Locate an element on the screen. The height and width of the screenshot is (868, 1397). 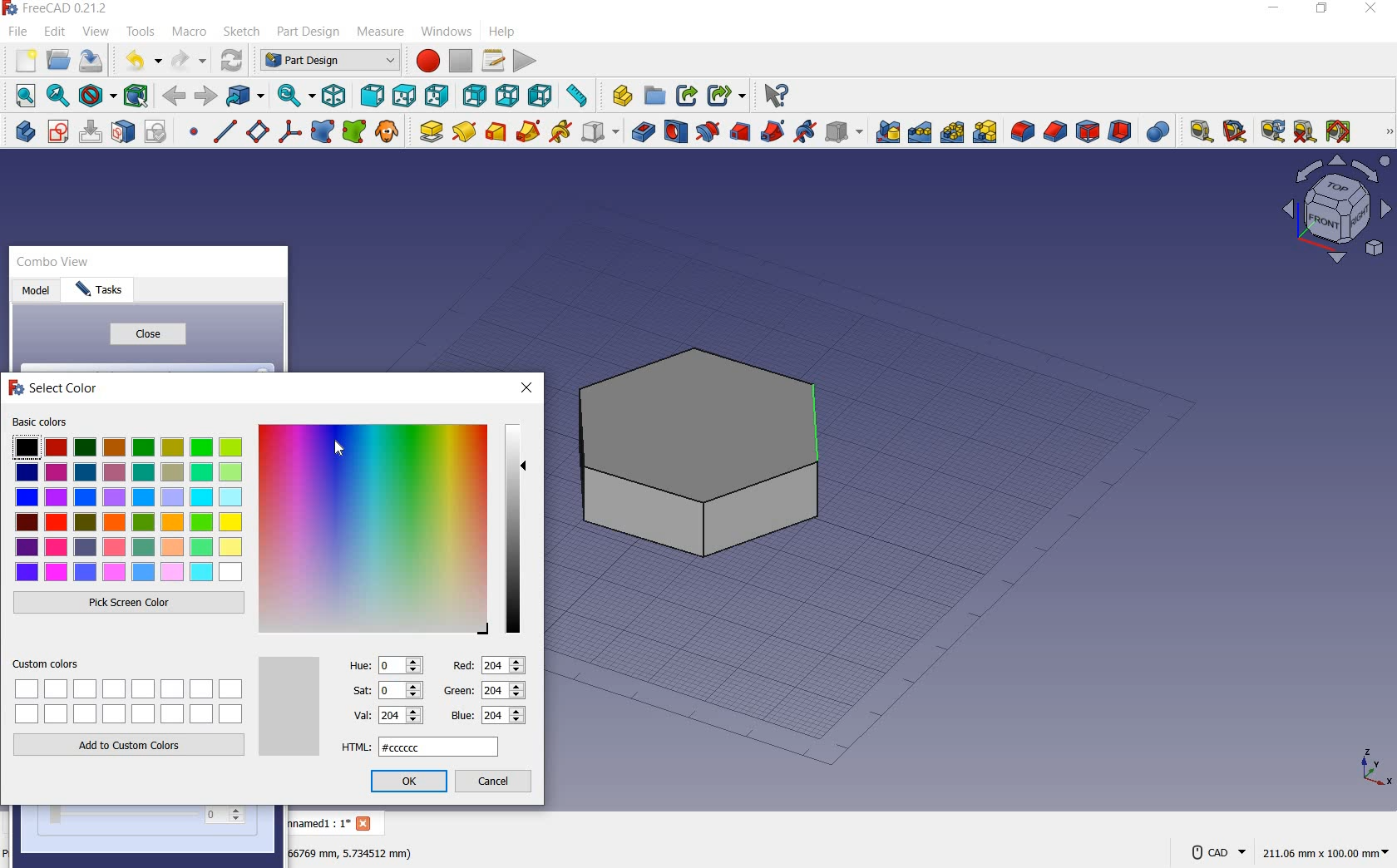
Sat: 0 is located at coordinates (386, 690).